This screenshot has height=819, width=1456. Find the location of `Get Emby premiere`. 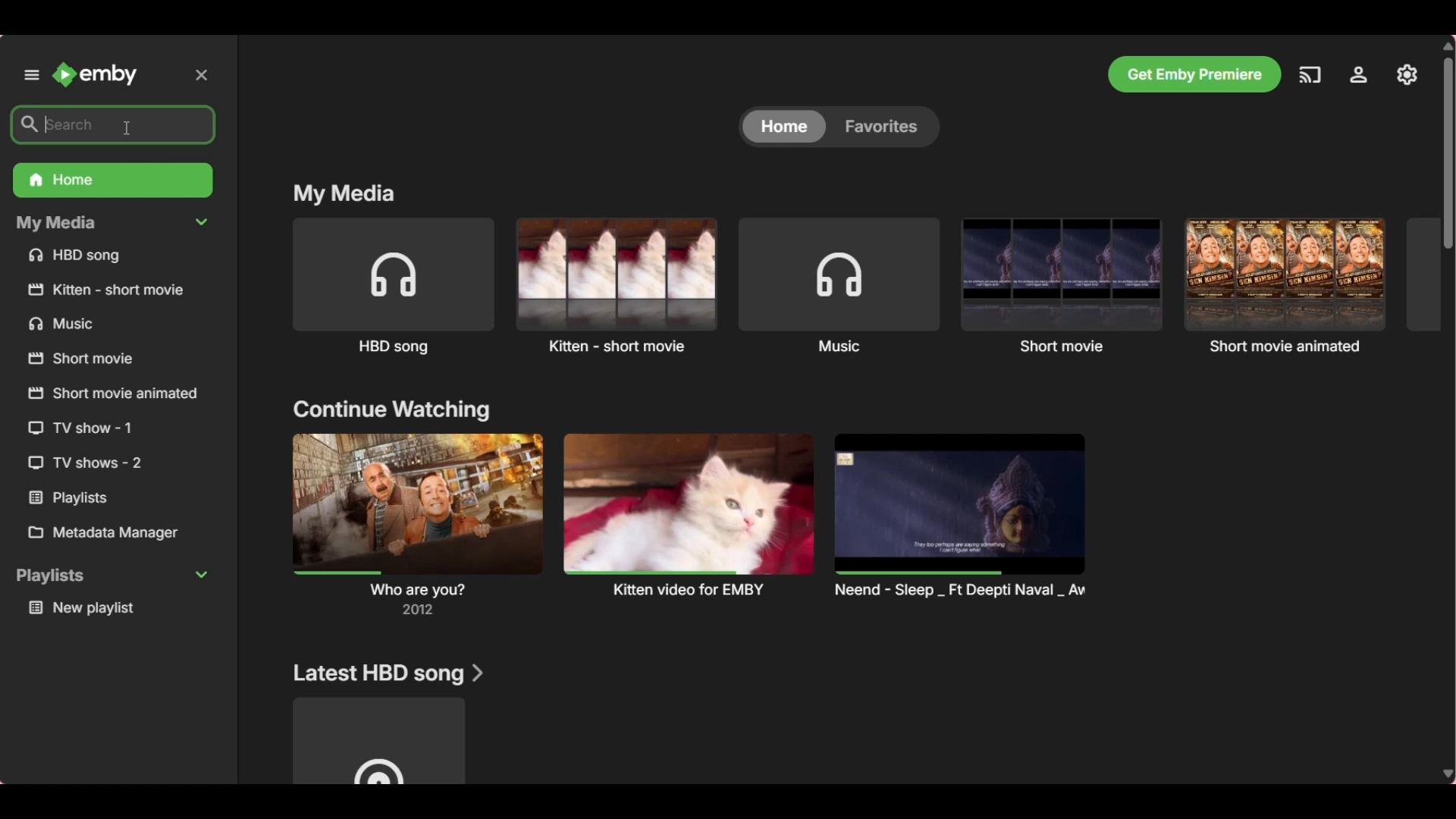

Get Emby premiere is located at coordinates (1194, 74).